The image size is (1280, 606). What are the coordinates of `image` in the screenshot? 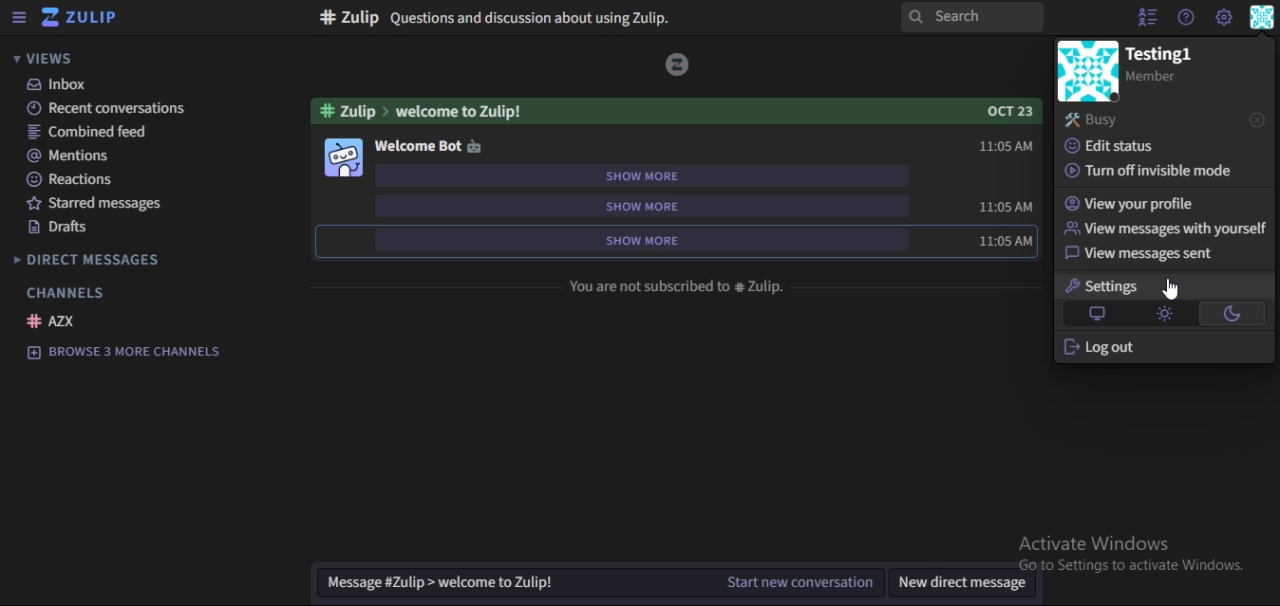 It's located at (346, 158).